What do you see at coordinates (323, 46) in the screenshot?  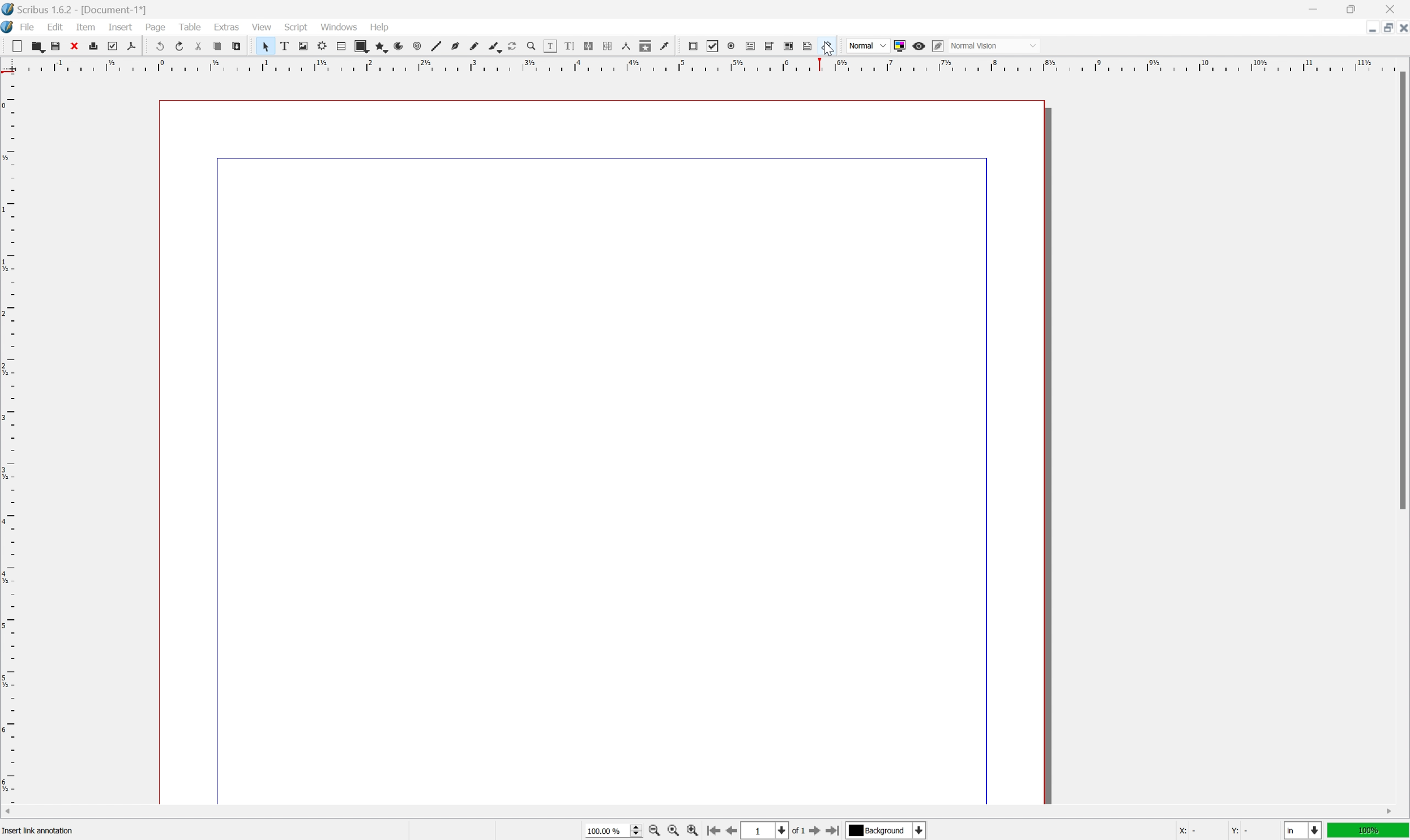 I see `render frame` at bounding box center [323, 46].